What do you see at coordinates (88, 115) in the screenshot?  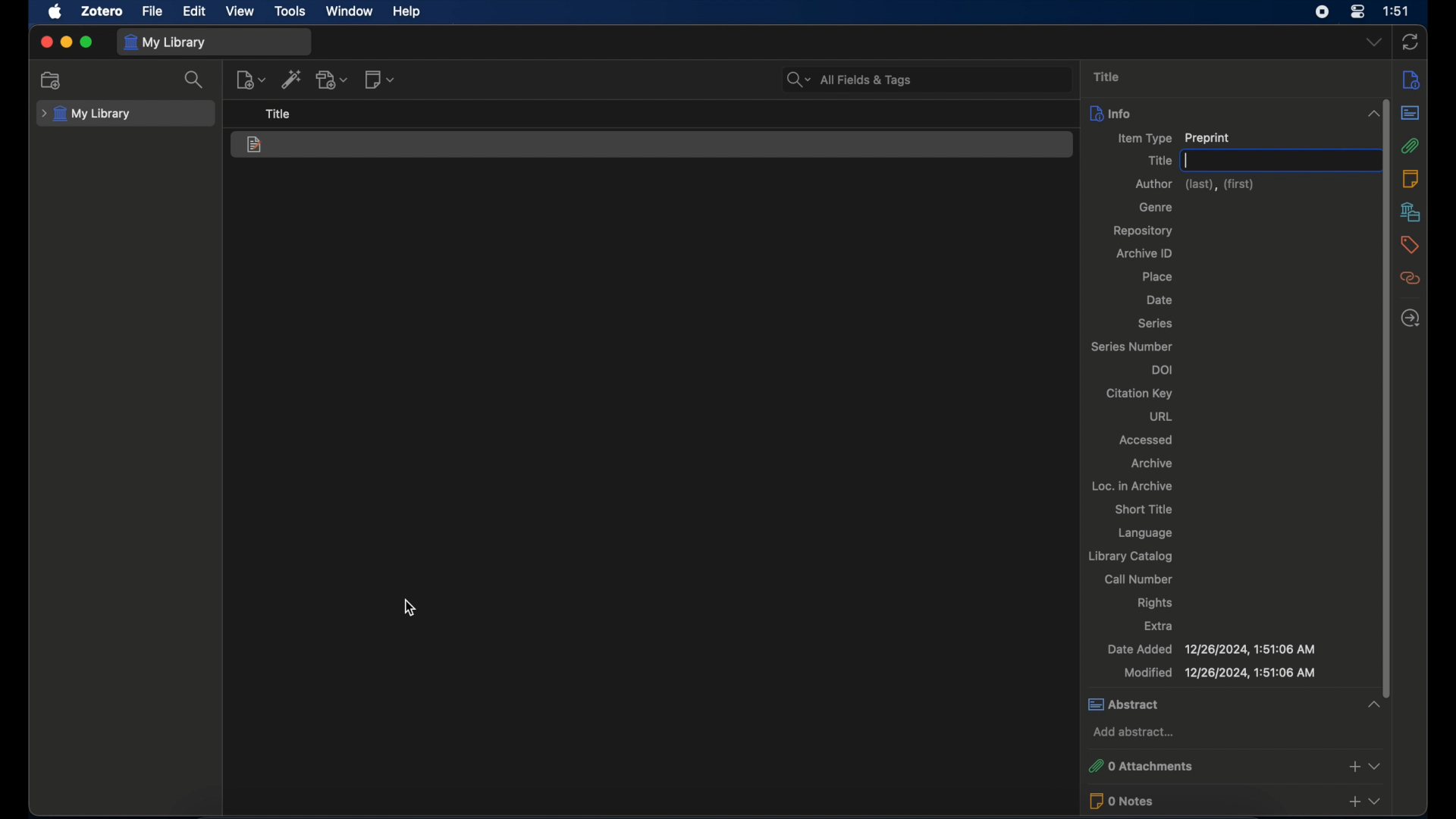 I see `my library` at bounding box center [88, 115].